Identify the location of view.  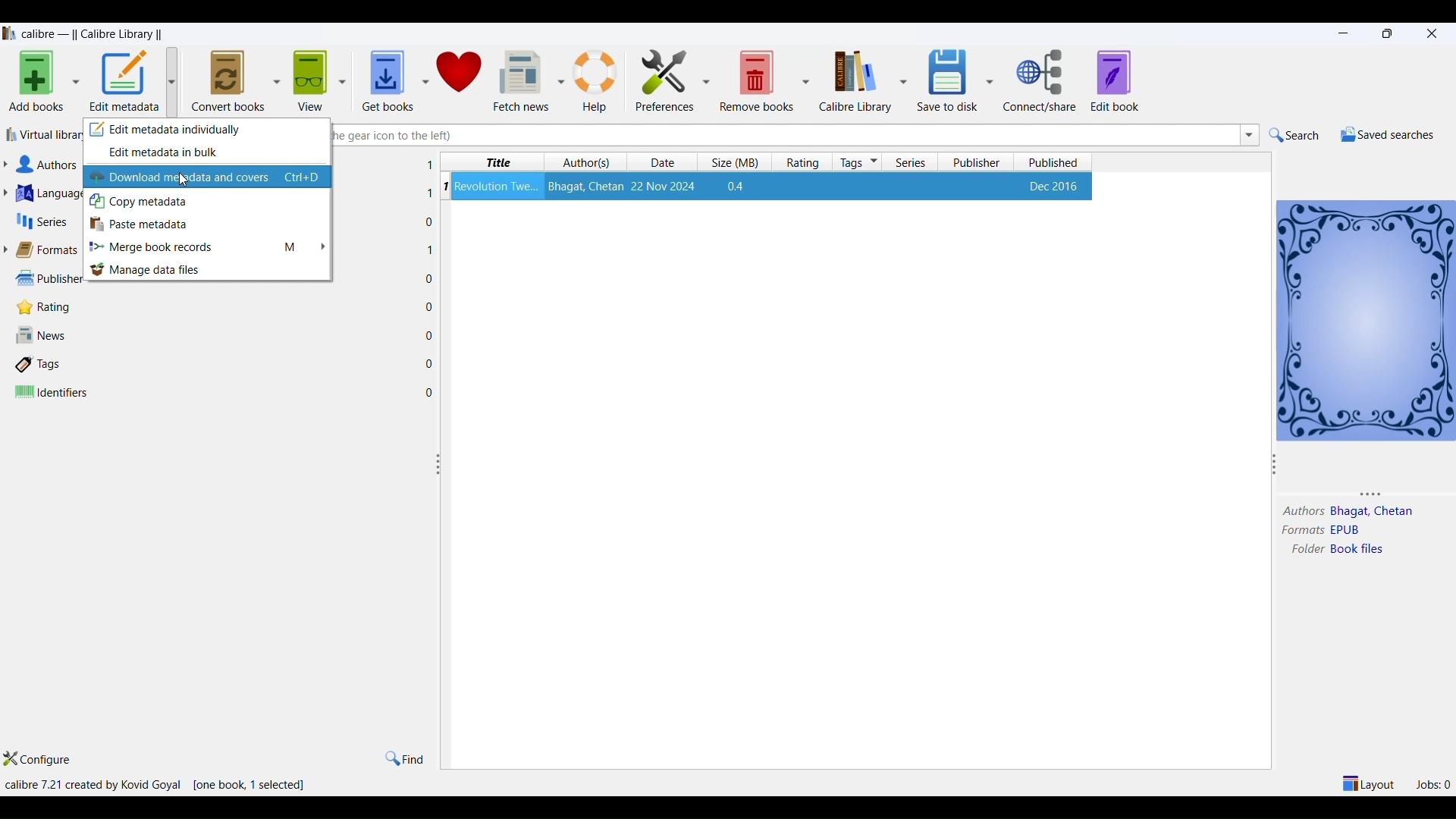
(310, 76).